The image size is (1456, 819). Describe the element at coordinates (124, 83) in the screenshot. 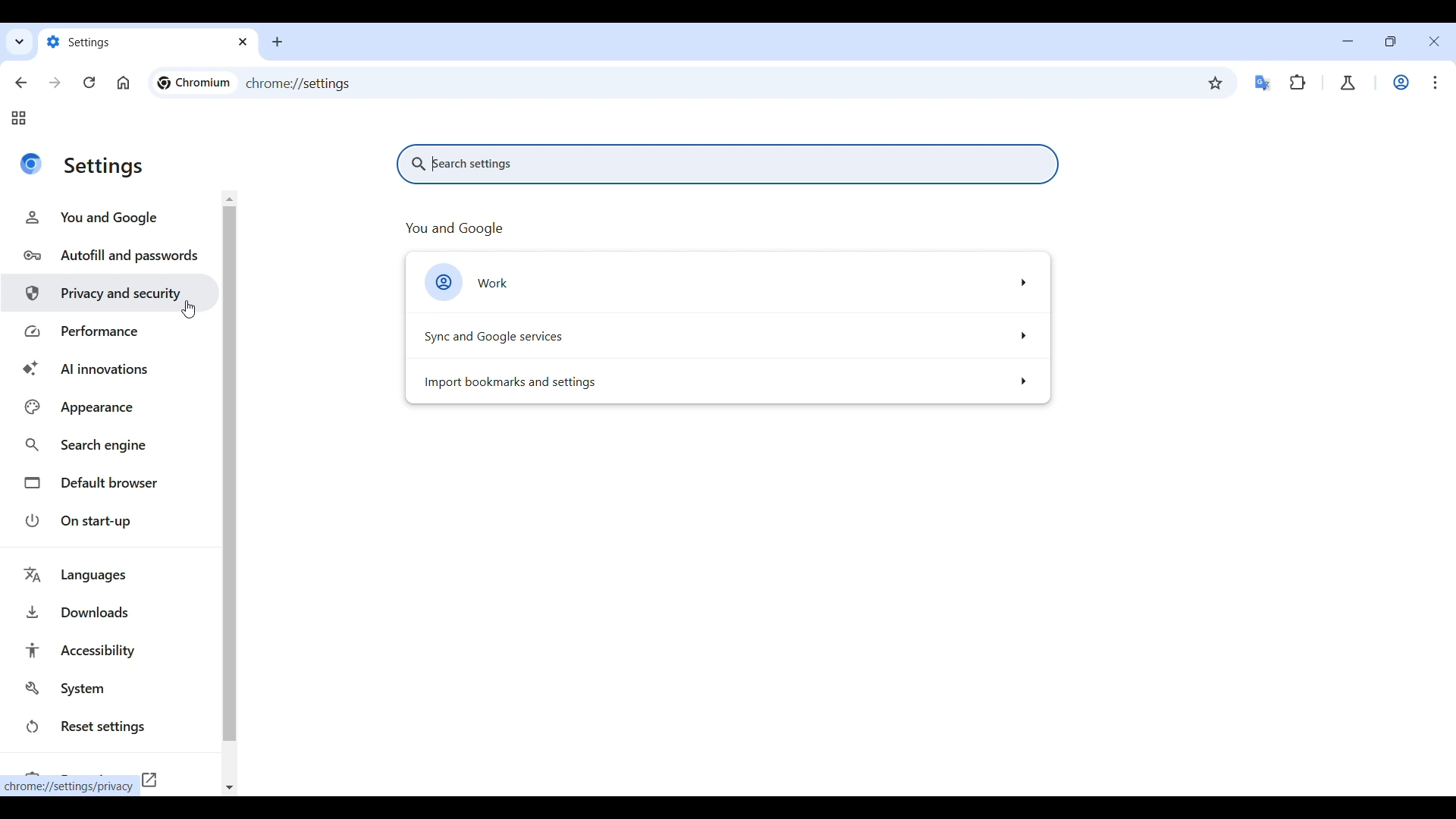

I see `Click to go to homepage` at that location.